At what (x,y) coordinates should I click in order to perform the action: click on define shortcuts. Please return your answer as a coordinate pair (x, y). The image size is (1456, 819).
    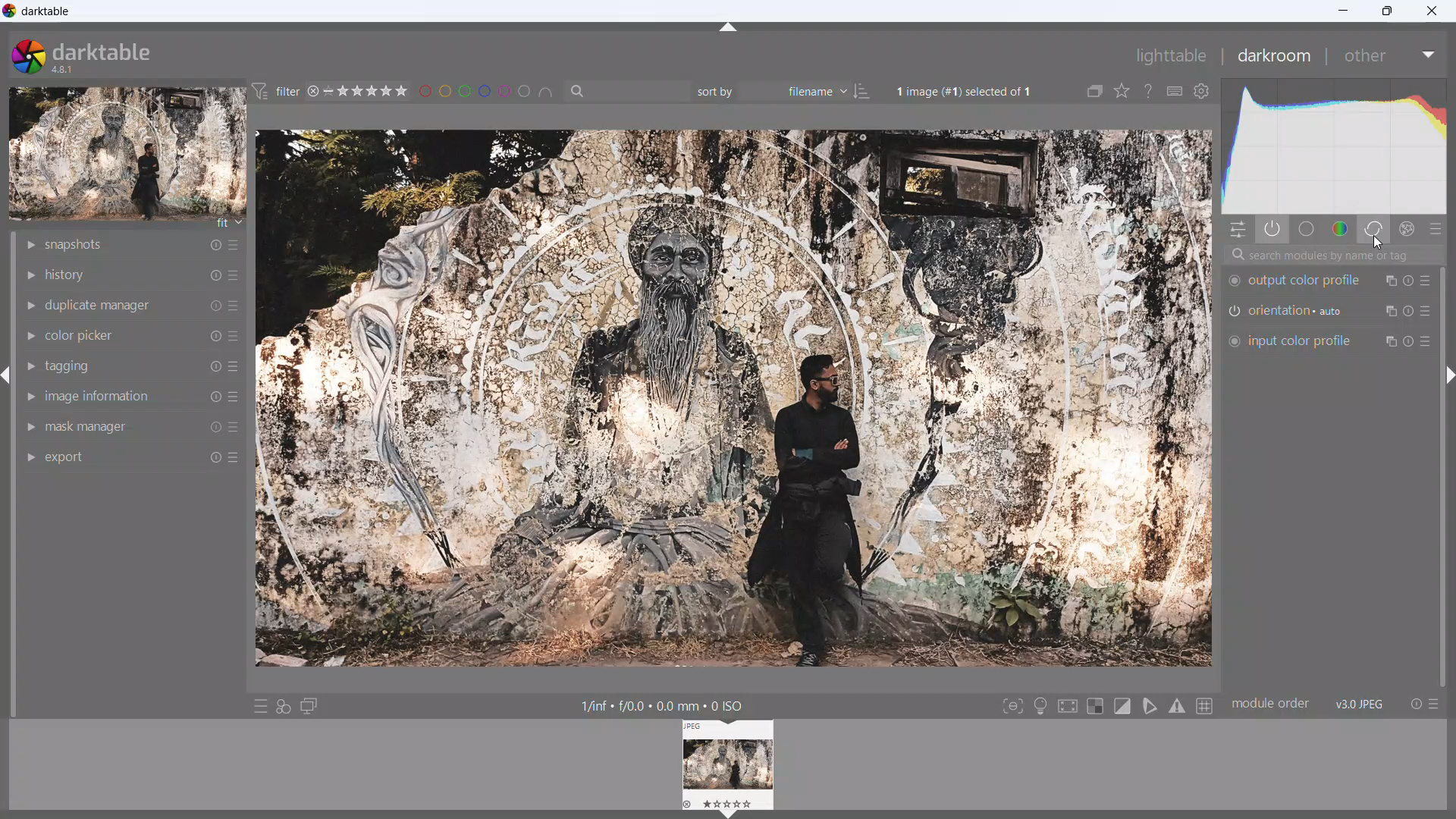
    Looking at the image, I should click on (1175, 91).